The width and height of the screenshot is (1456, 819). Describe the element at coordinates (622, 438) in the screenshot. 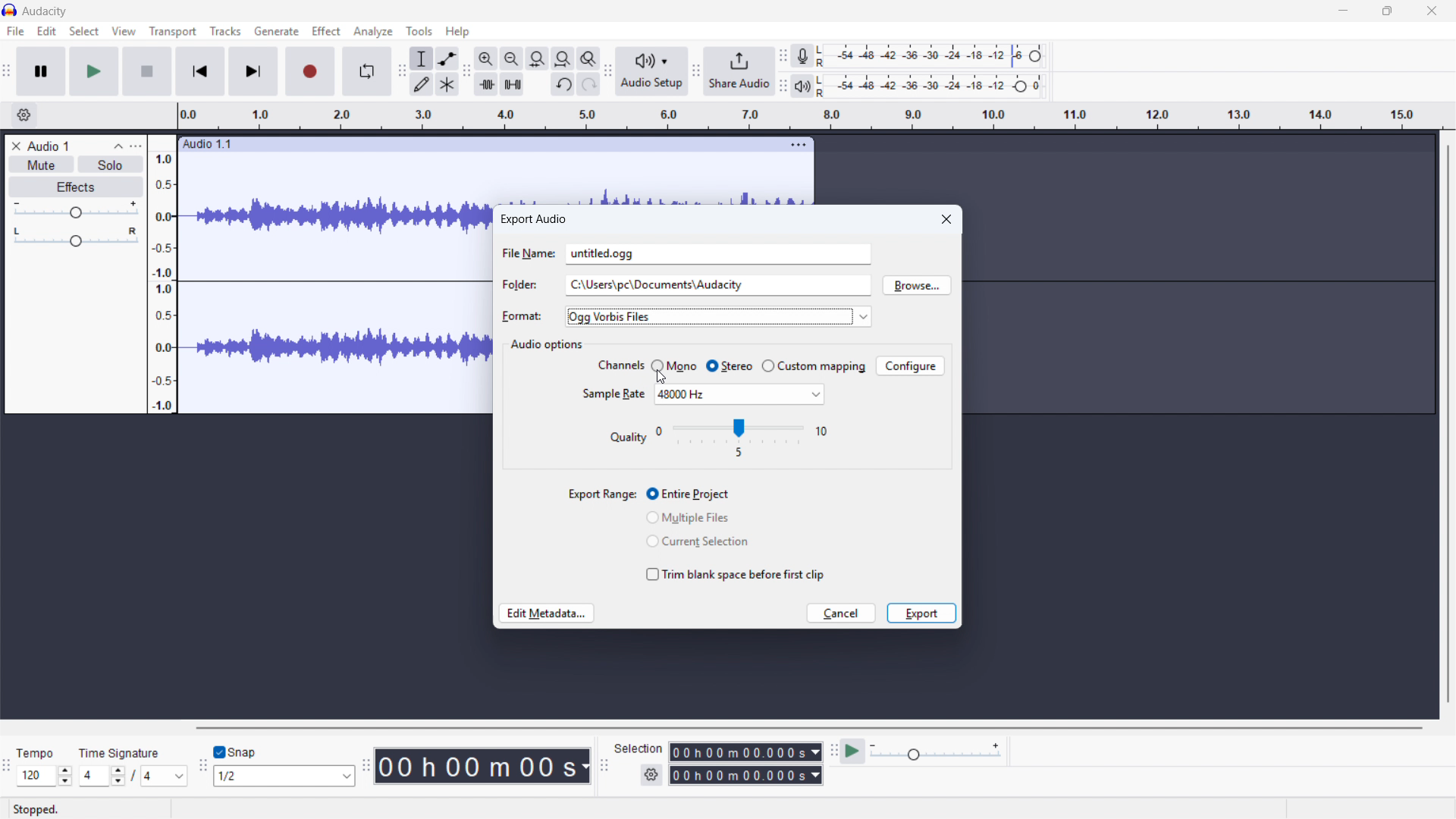

I see `quality` at that location.